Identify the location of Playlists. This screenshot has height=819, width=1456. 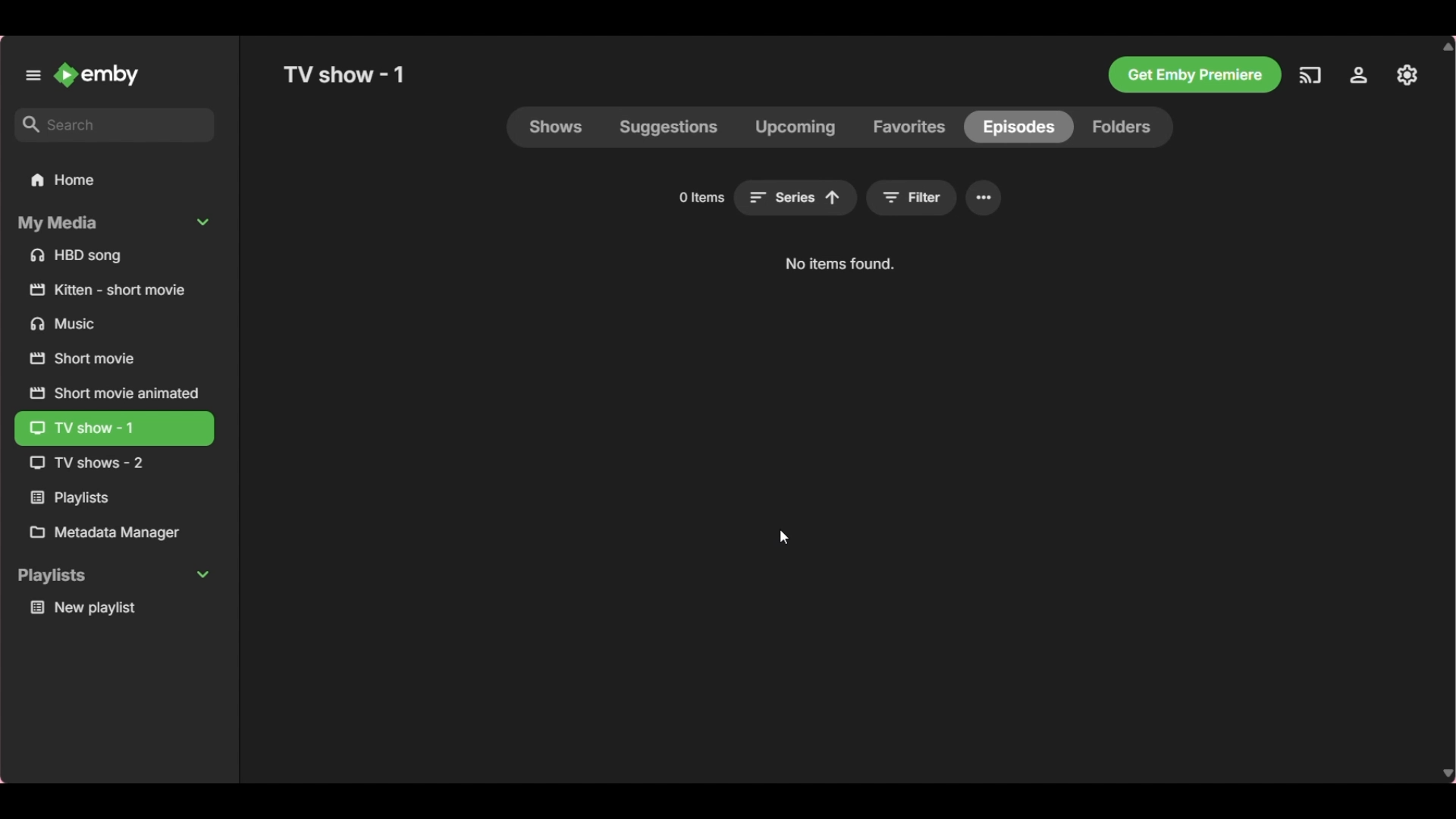
(114, 498).